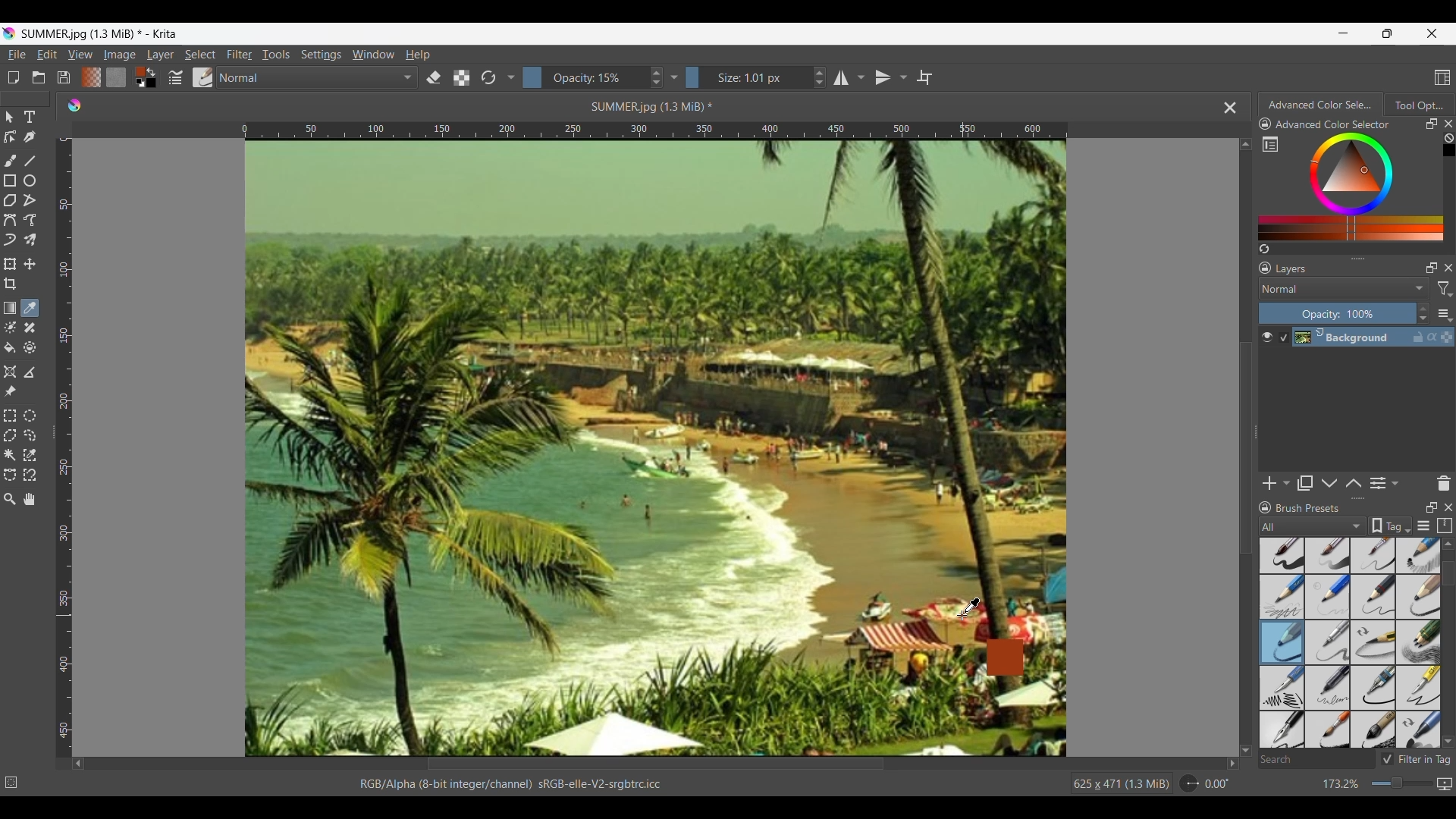  I want to click on Reload original preset, so click(488, 77).